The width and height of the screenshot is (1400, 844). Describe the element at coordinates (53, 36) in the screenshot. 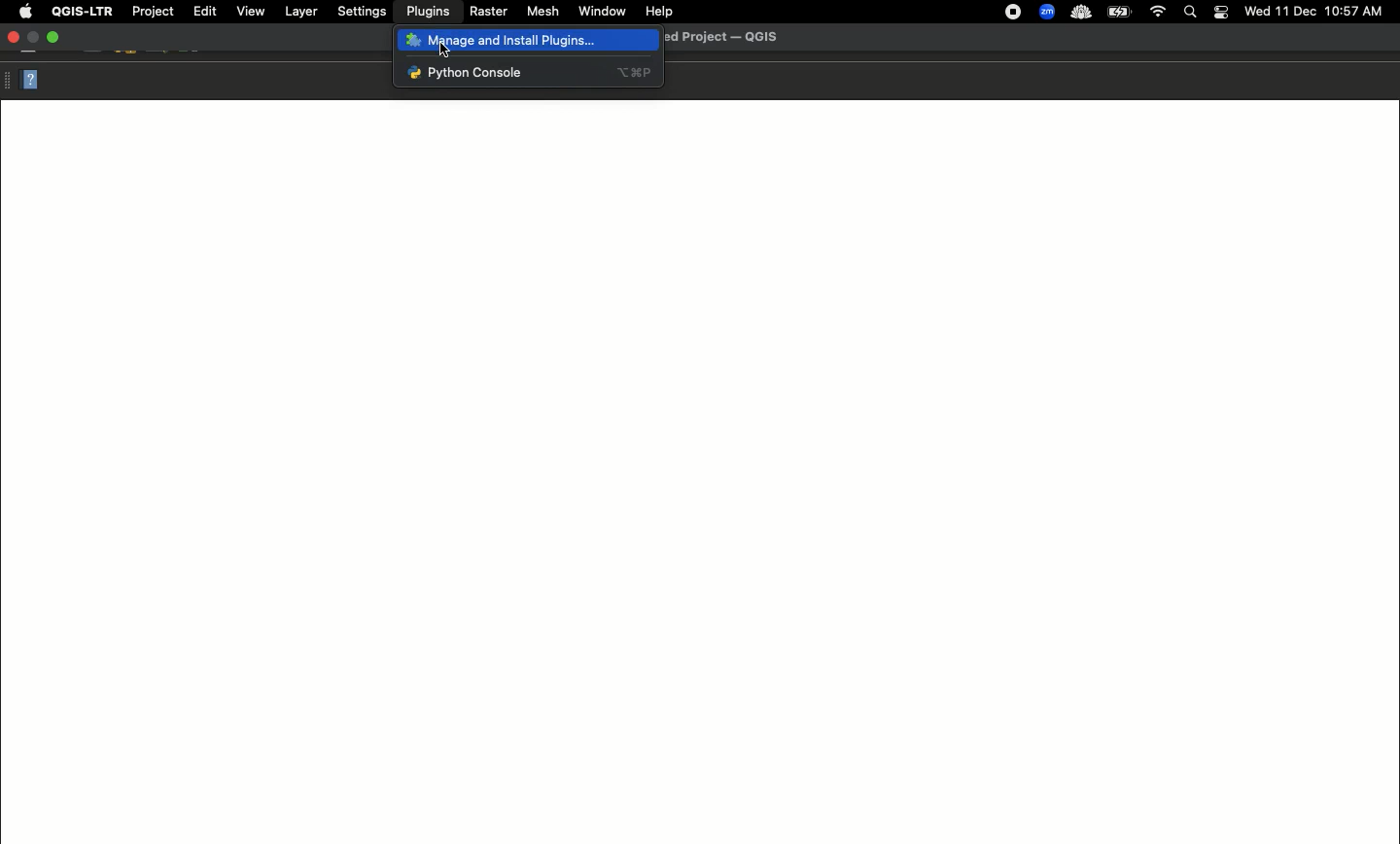

I see `Maximize` at that location.